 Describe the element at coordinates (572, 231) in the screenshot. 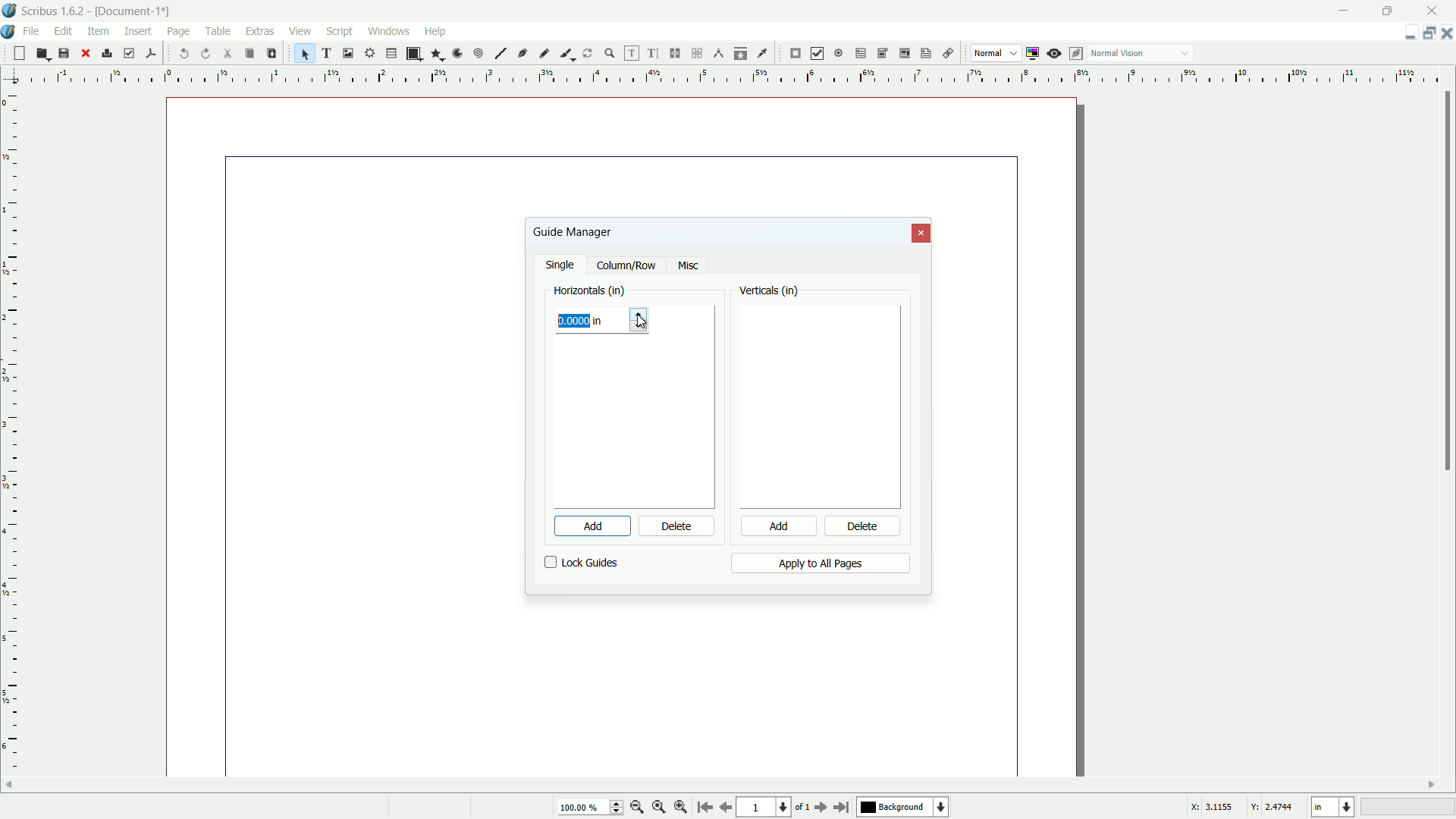

I see `guide manager` at that location.